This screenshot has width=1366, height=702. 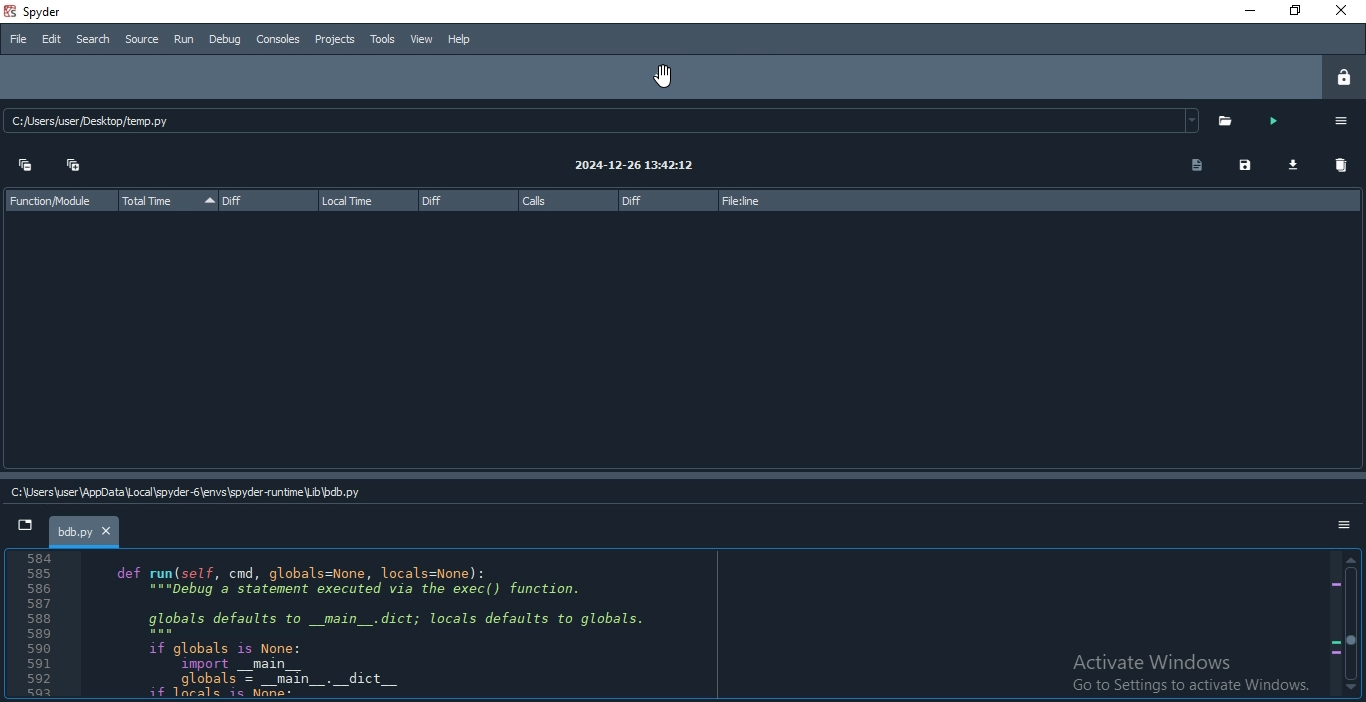 I want to click on Help, so click(x=458, y=38).